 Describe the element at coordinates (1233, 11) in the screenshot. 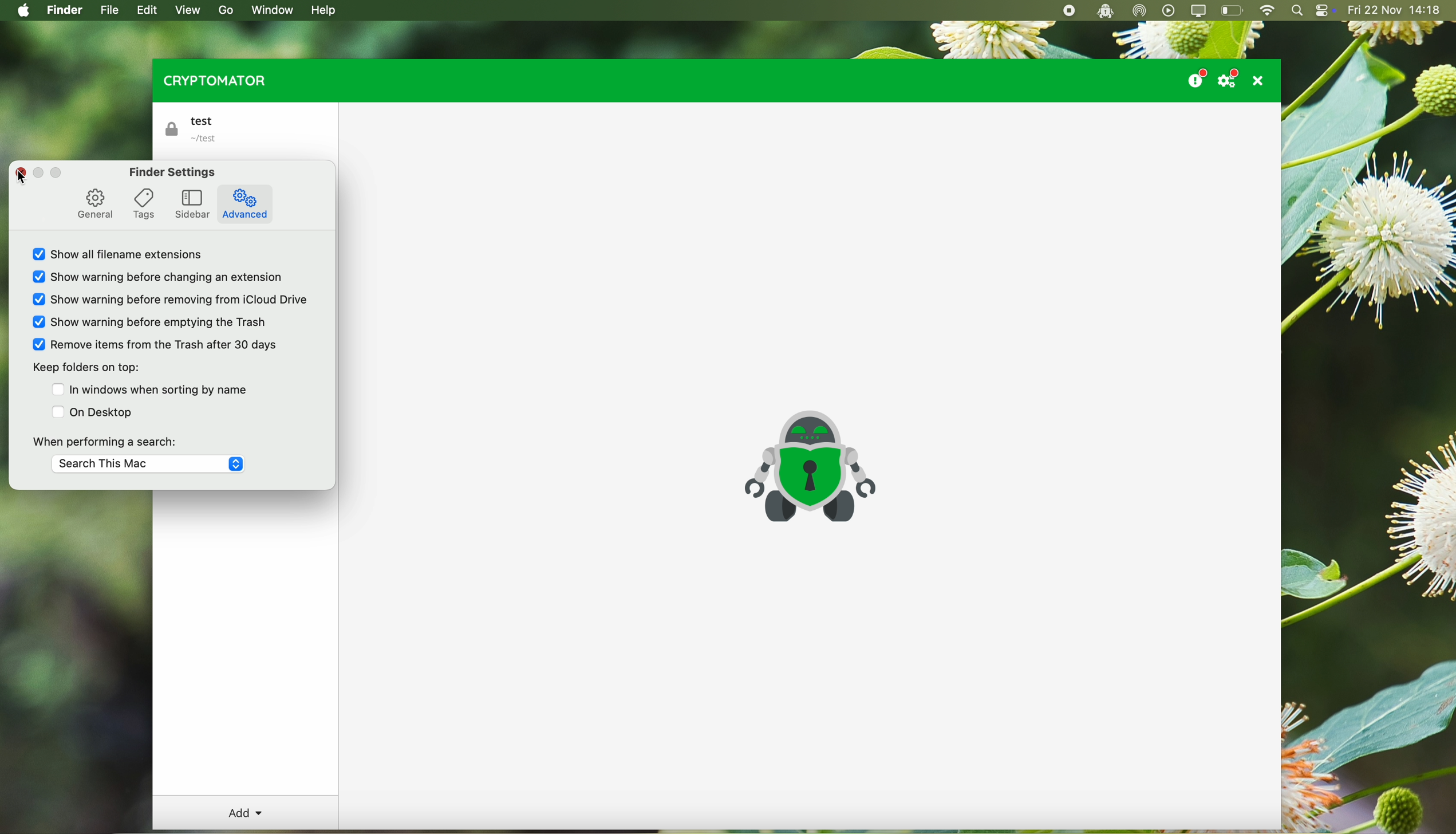

I see `battery` at that location.